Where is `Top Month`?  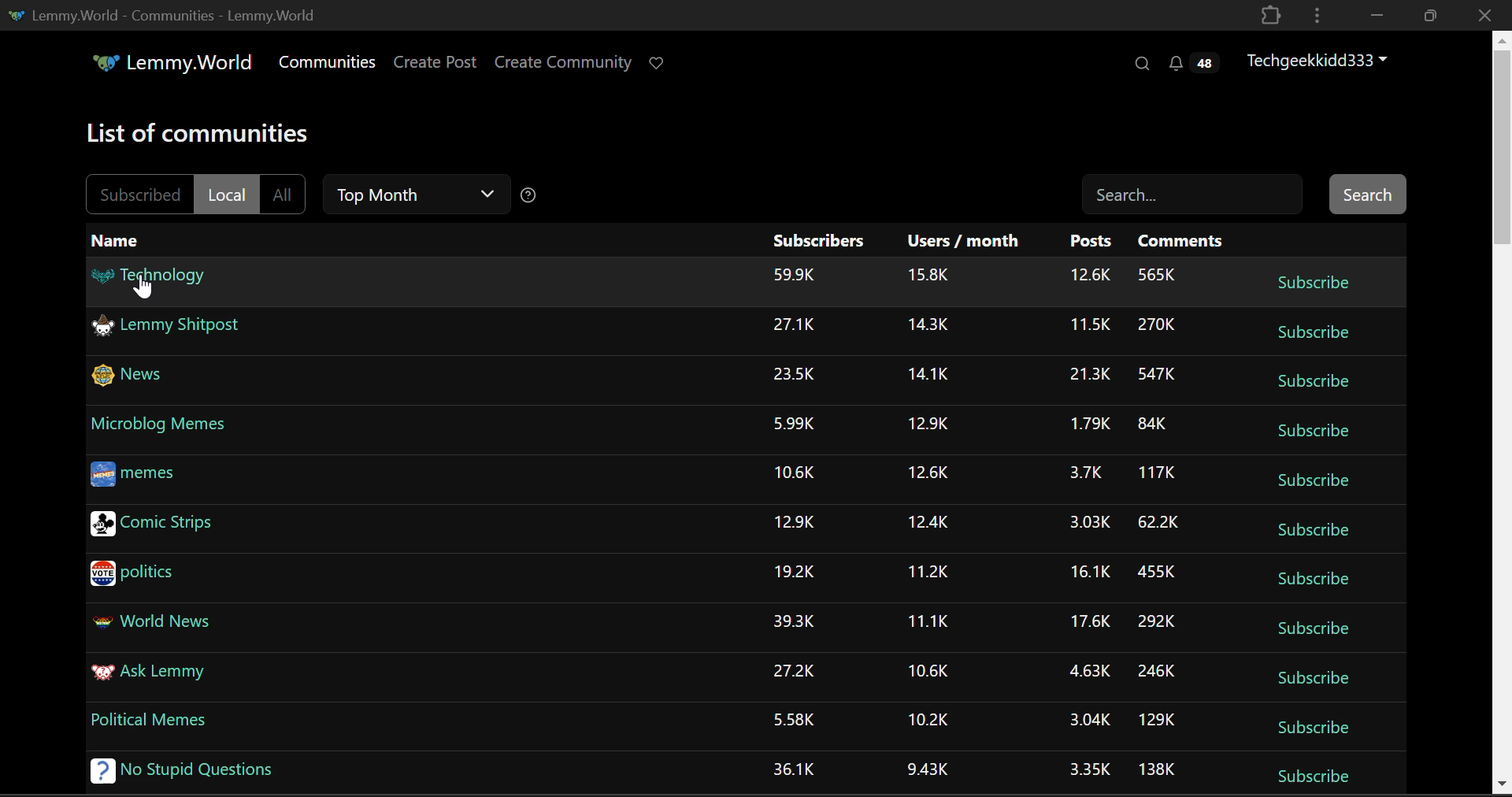 Top Month is located at coordinates (416, 194).